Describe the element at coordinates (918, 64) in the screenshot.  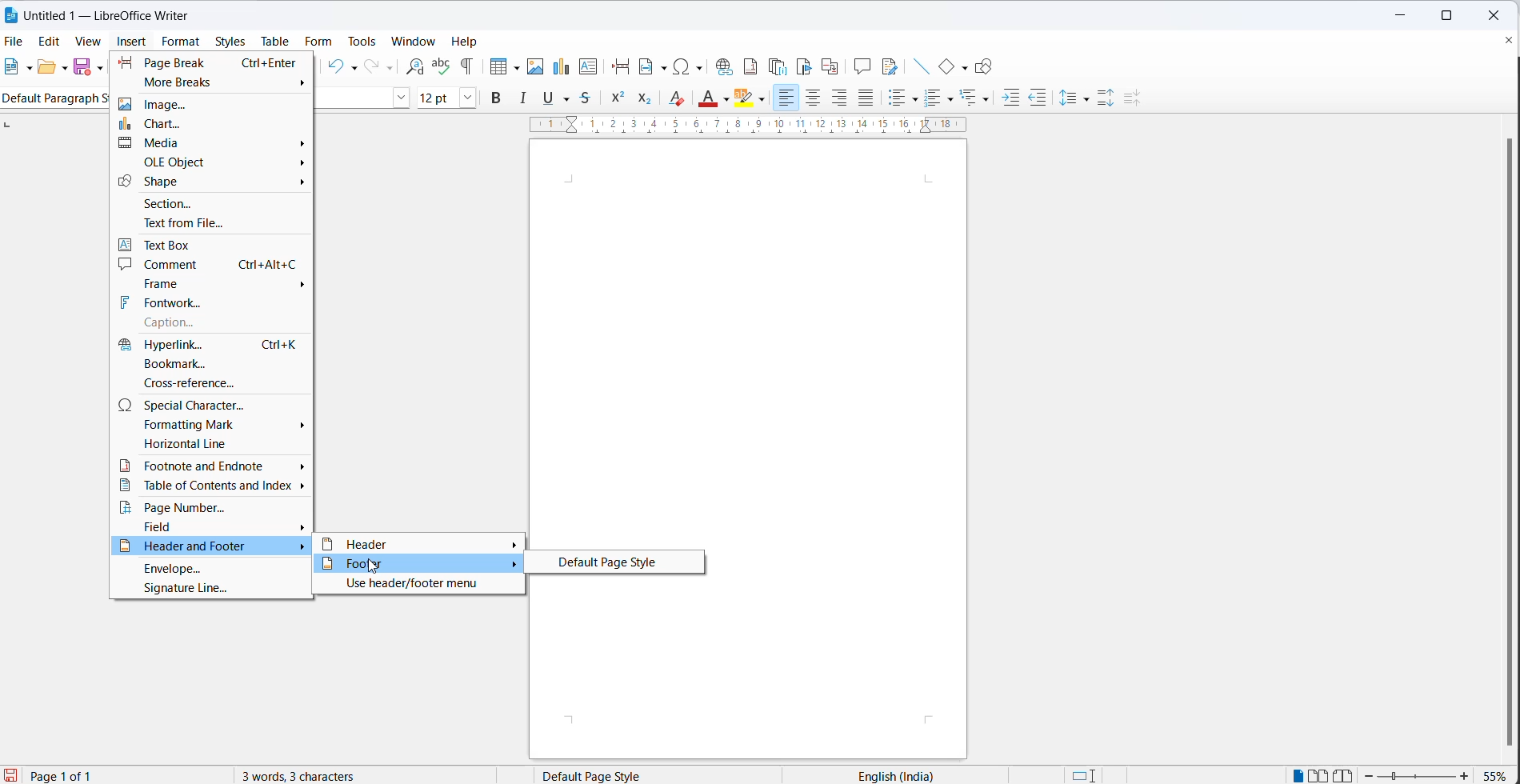
I see `insert line` at that location.